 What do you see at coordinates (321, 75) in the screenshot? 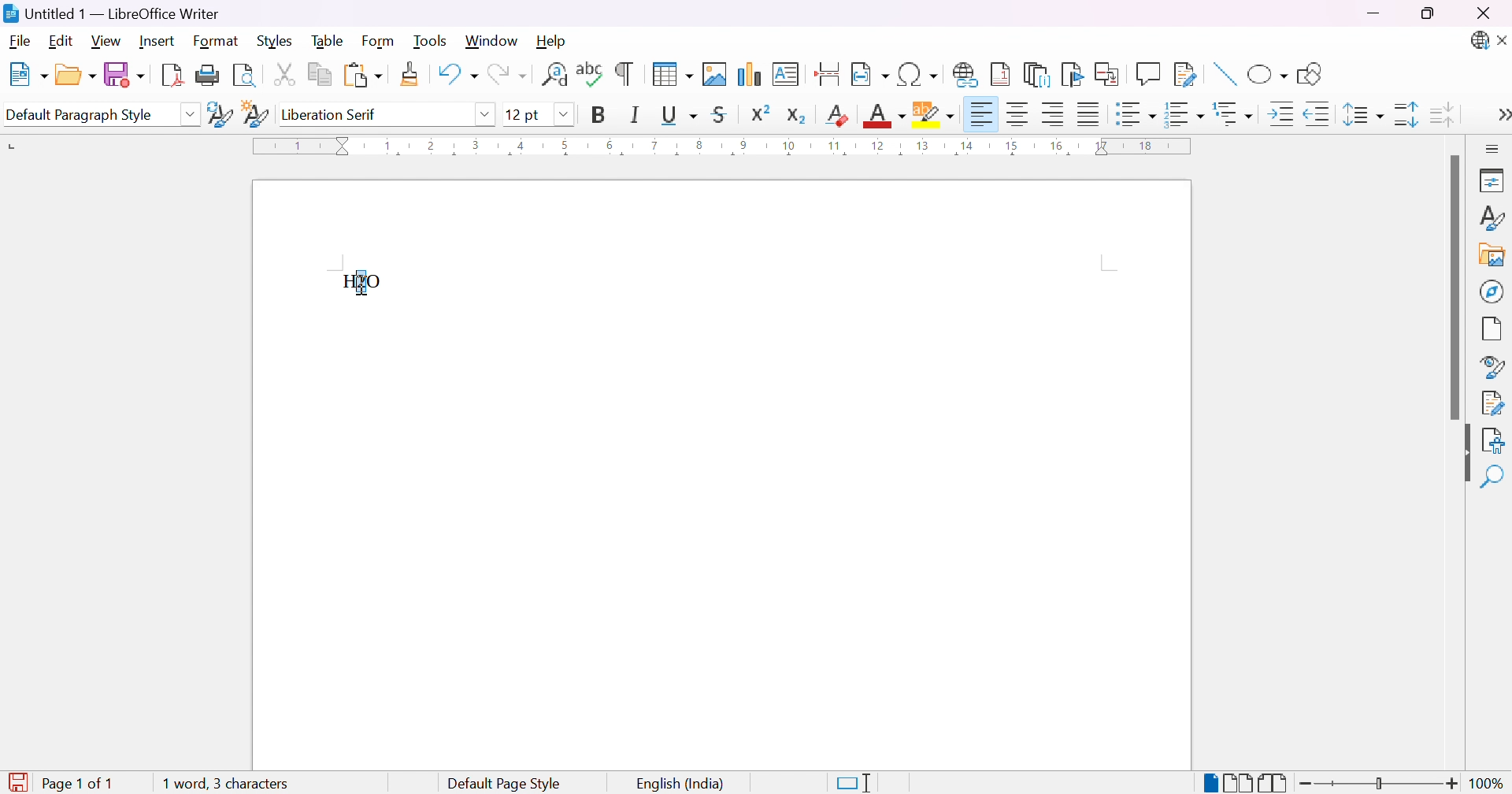
I see `Copy` at bounding box center [321, 75].